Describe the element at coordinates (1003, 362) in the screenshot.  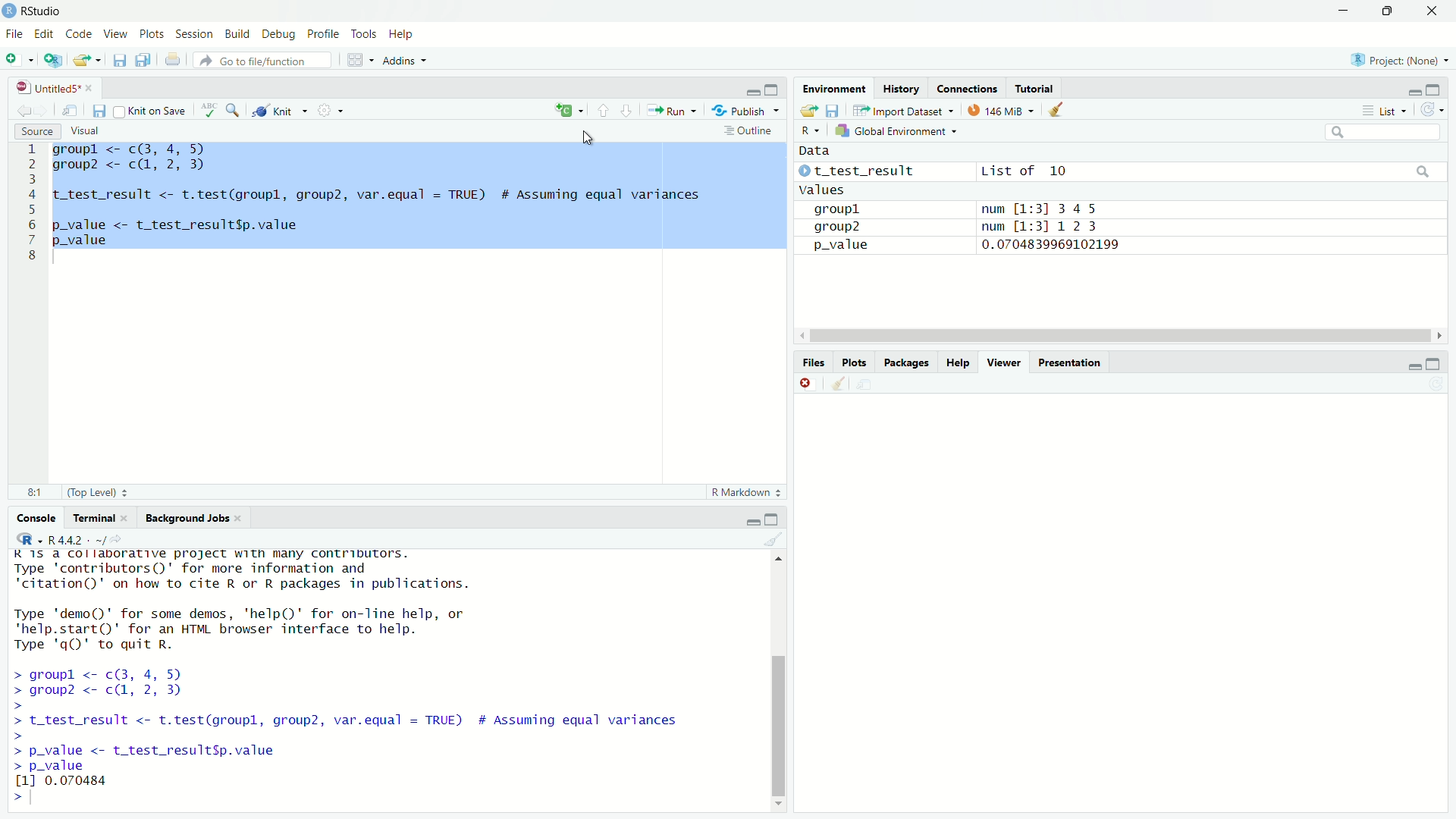
I see `Viewer` at that location.